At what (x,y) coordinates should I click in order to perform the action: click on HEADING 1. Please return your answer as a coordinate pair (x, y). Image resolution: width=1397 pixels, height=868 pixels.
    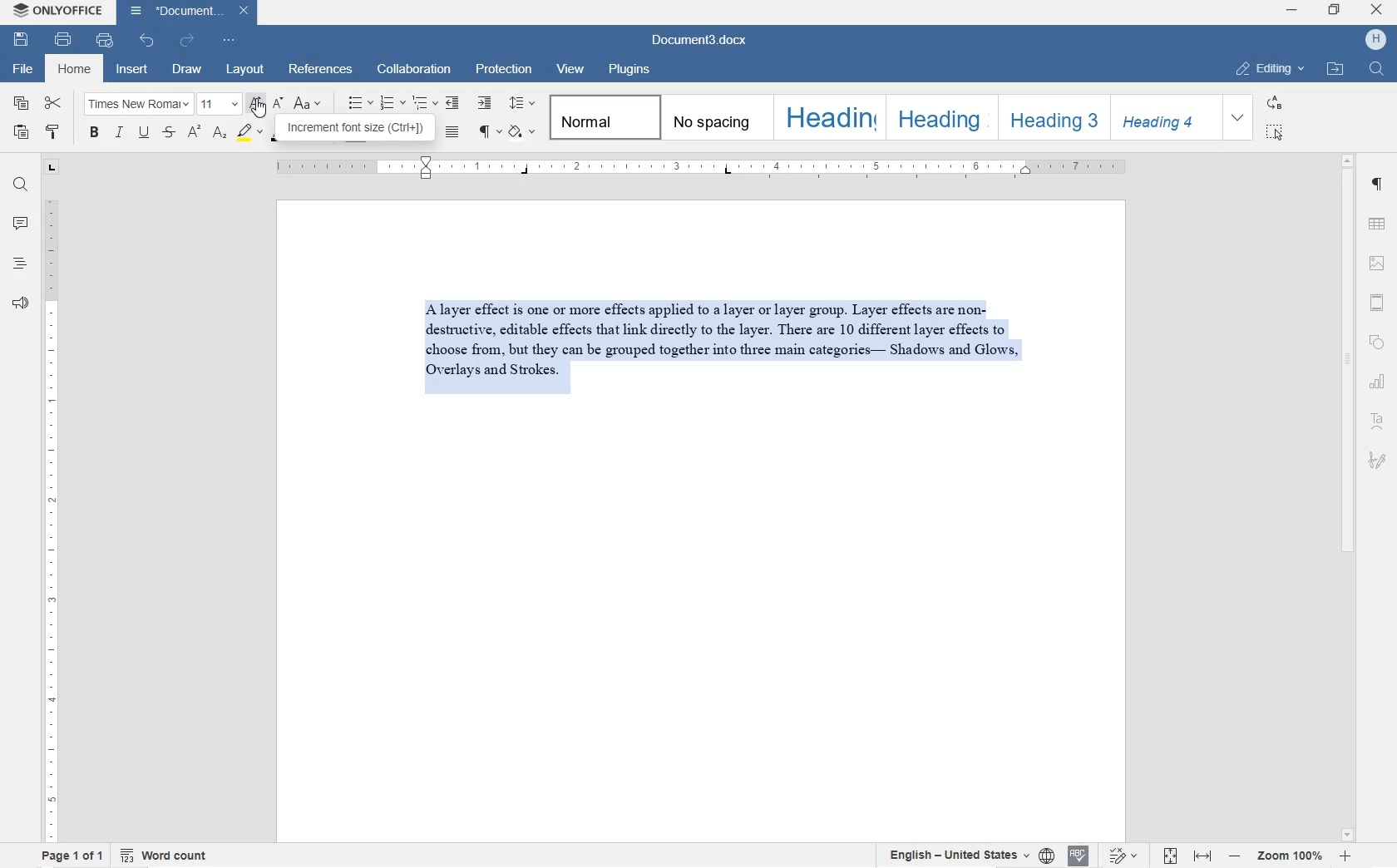
    Looking at the image, I should click on (830, 118).